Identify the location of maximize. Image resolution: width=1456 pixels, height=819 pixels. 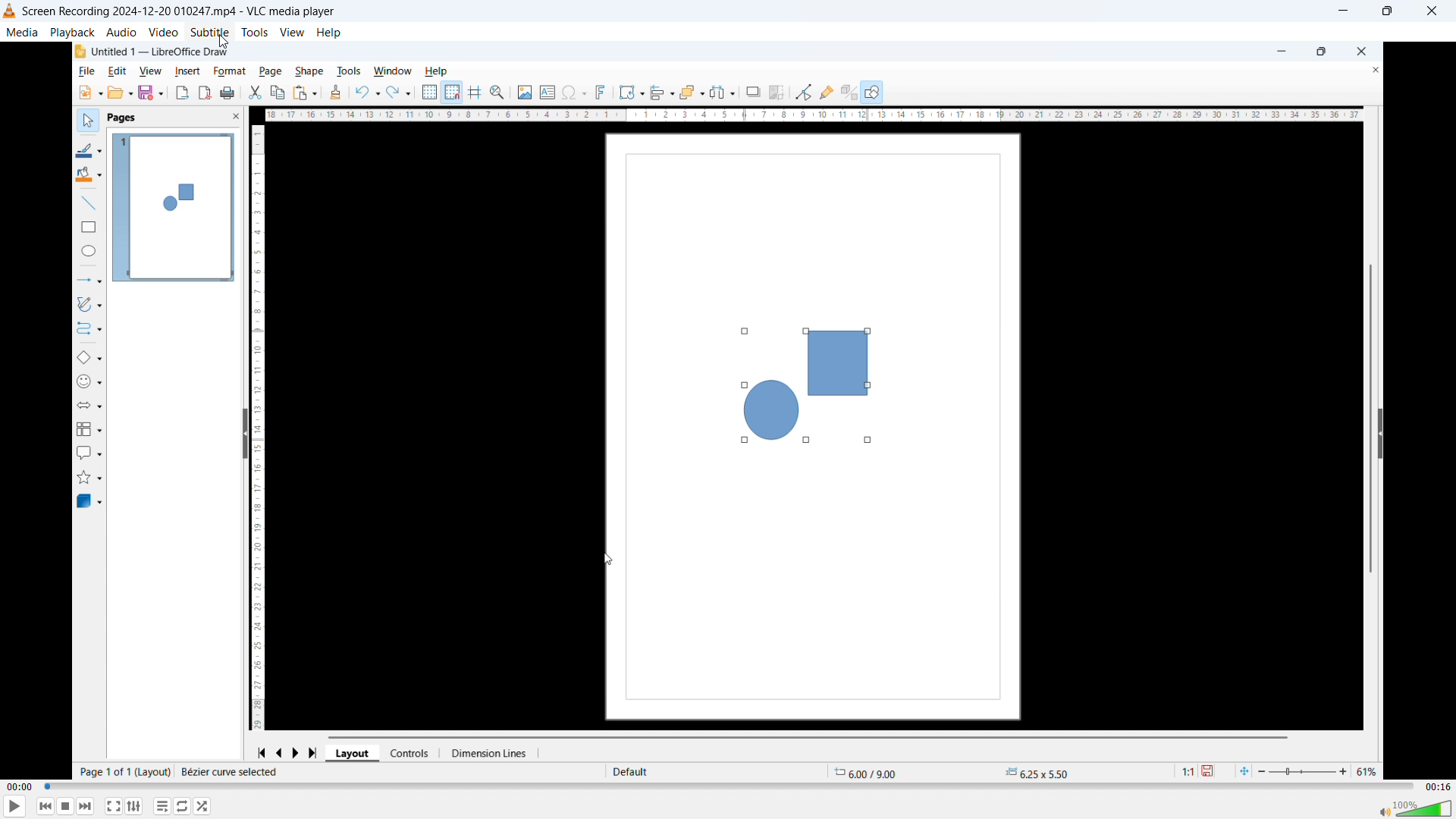
(1321, 52).